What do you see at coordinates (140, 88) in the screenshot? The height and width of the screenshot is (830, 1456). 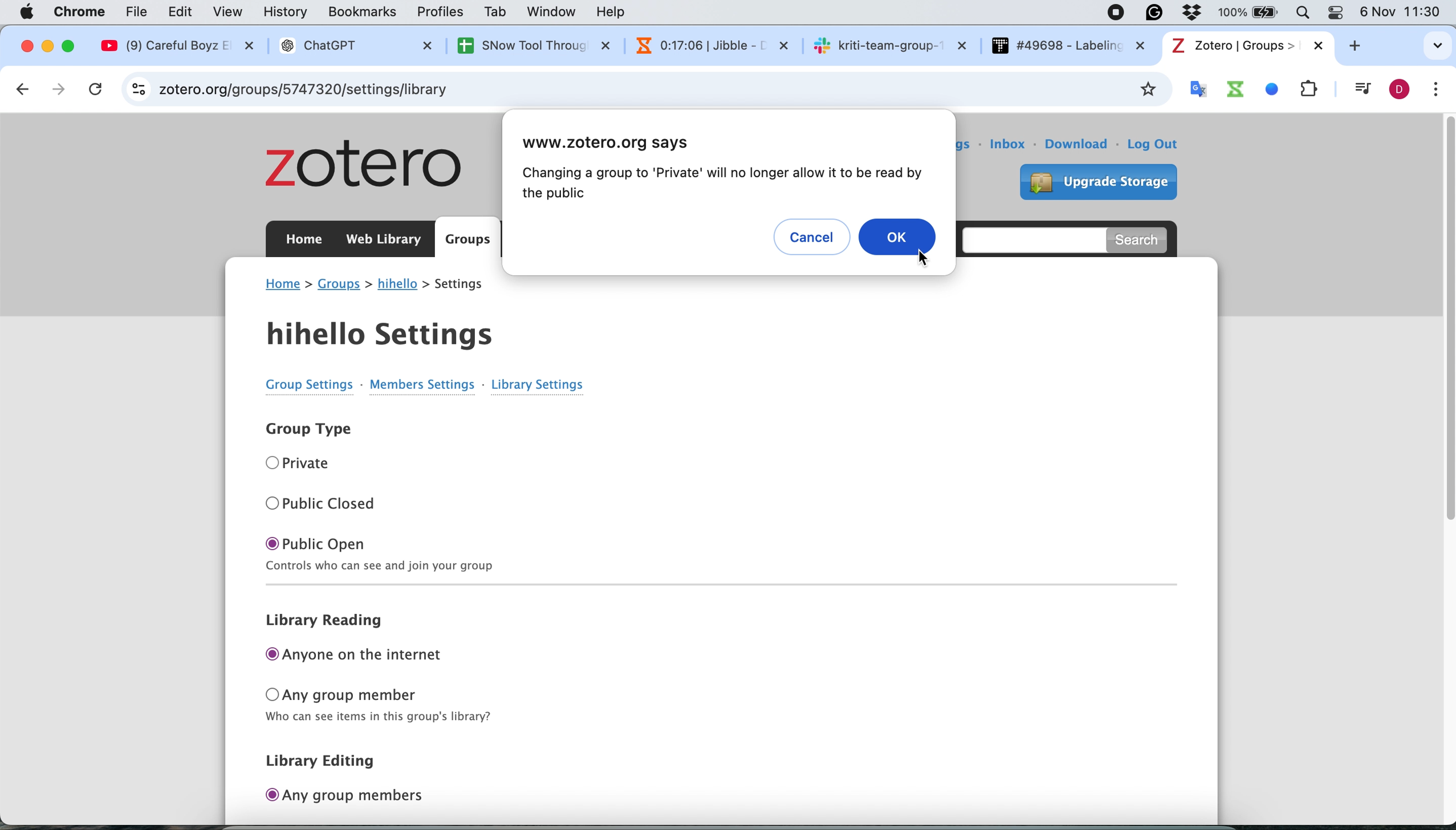 I see `site information` at bounding box center [140, 88].